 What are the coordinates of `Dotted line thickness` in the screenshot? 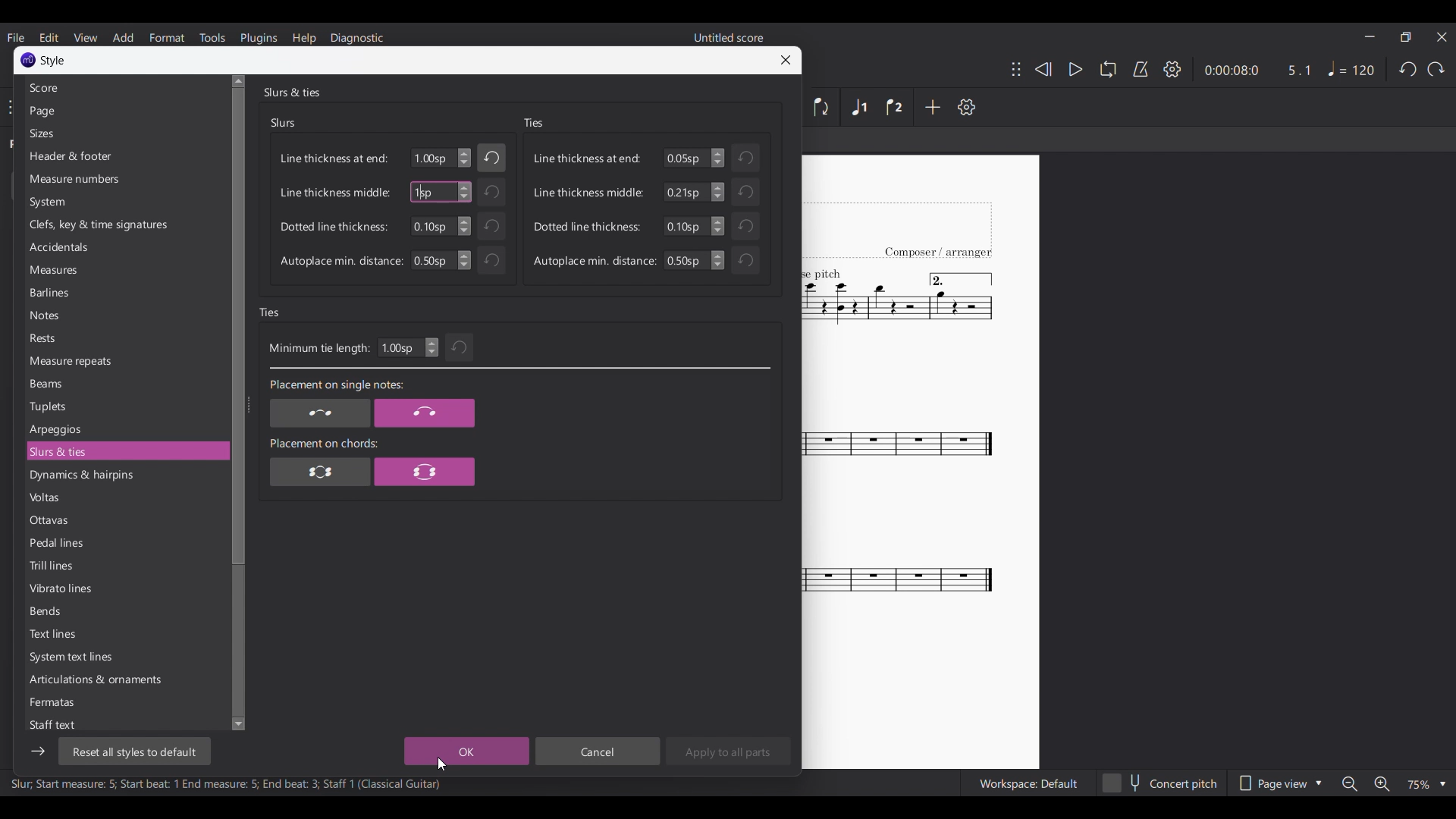 It's located at (588, 226).